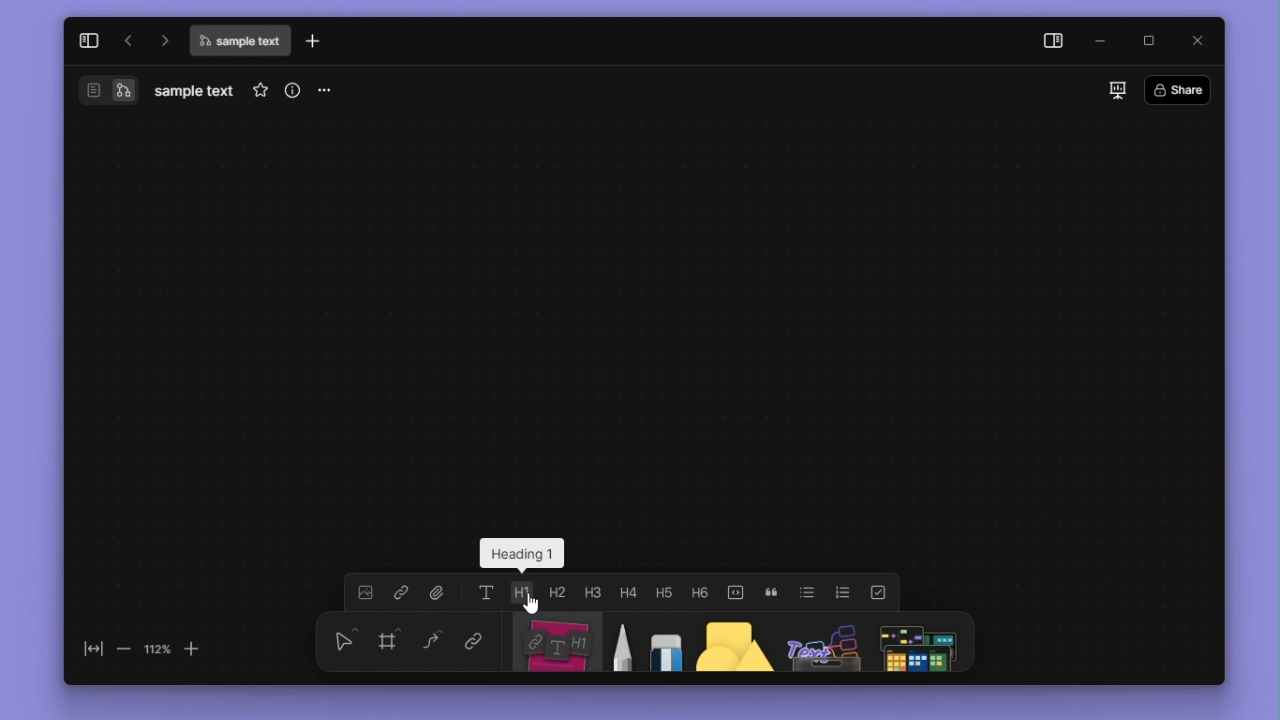 The image size is (1280, 720). Describe the element at coordinates (521, 552) in the screenshot. I see `pop up callout text` at that location.